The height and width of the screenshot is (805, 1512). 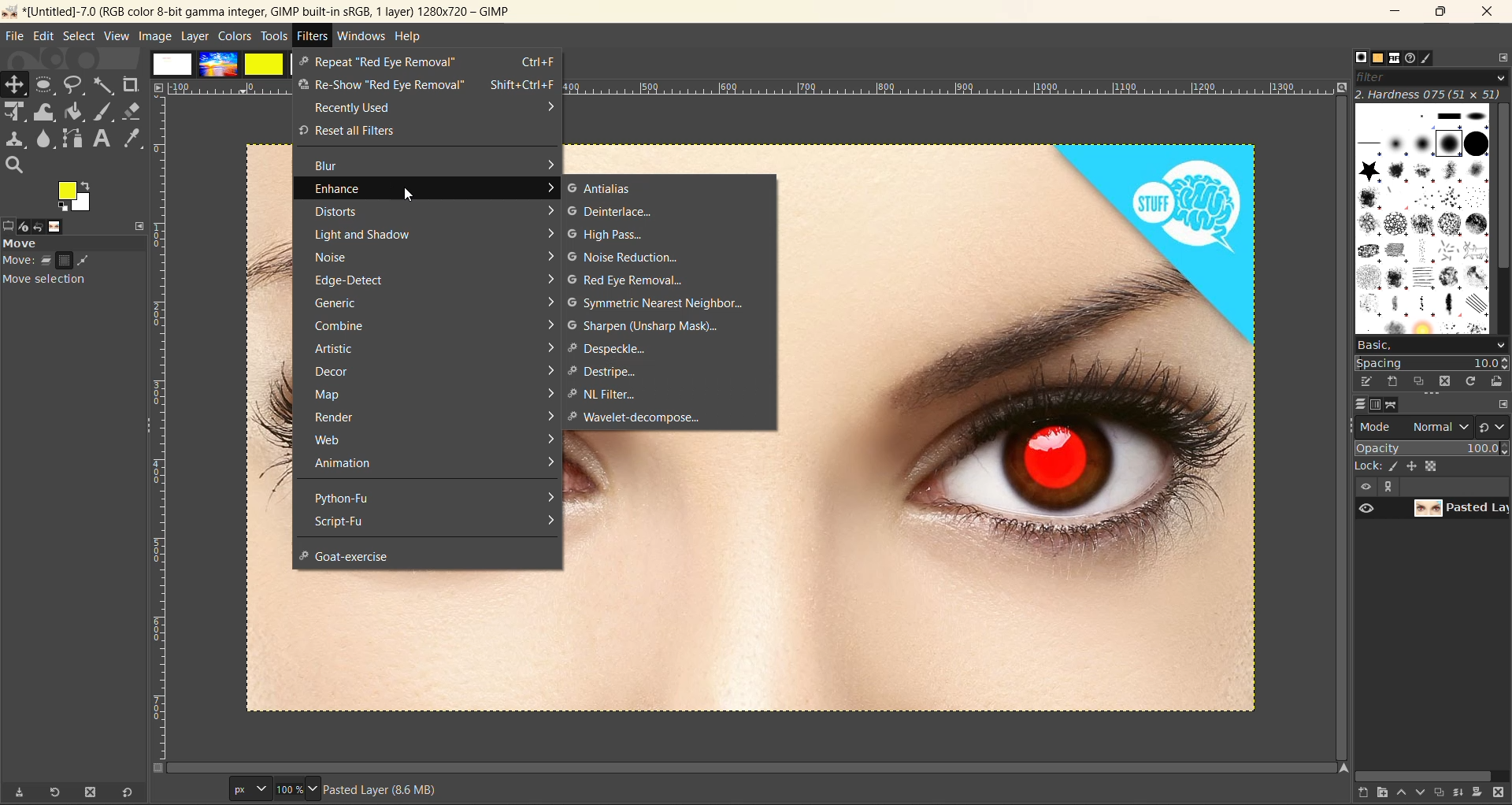 I want to click on active foreground and background color, so click(x=76, y=196).